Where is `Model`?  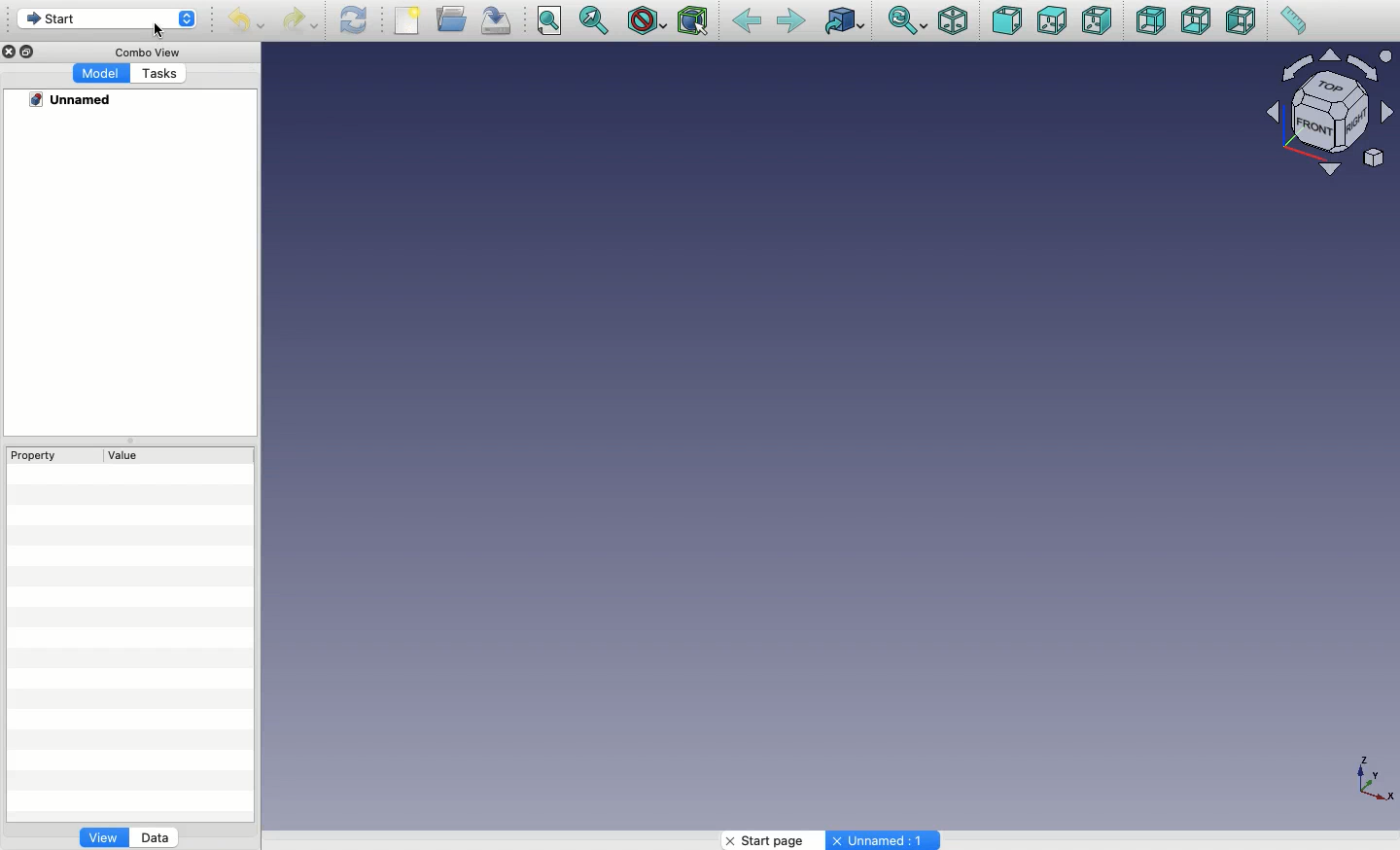 Model is located at coordinates (102, 74).